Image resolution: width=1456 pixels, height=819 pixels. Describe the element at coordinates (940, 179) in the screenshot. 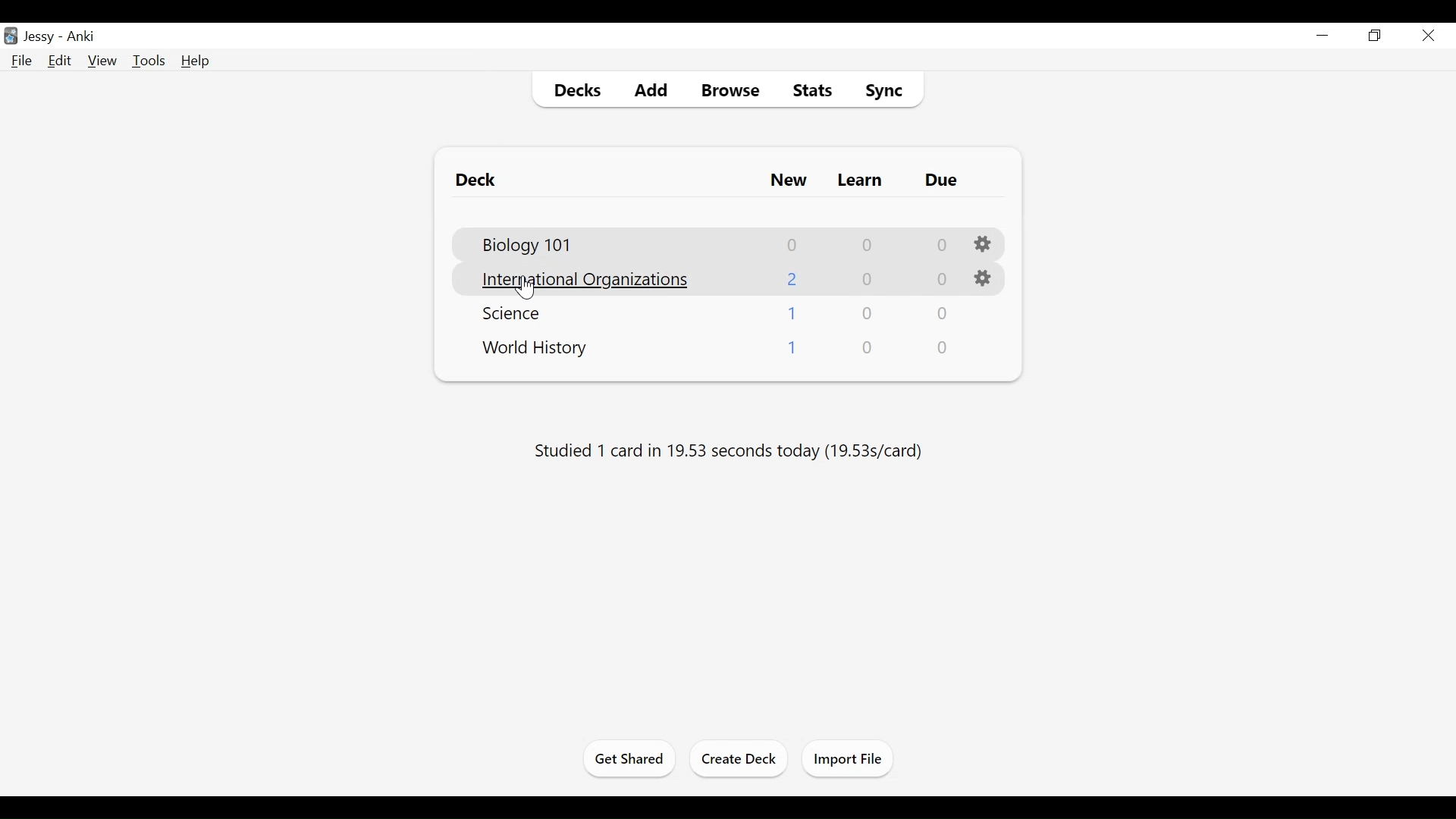

I see `Due` at that location.